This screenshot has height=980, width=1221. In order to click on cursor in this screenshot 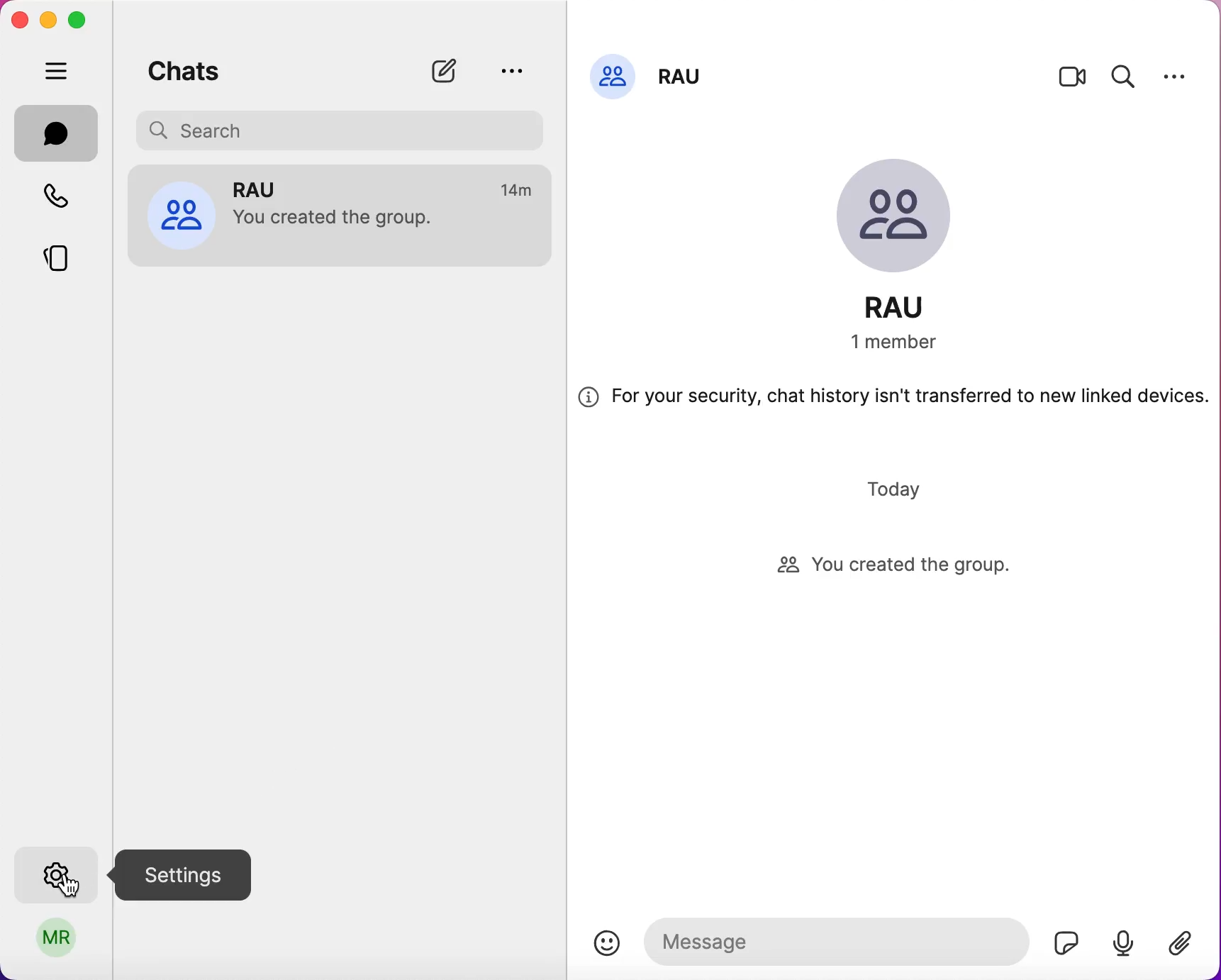, I will do `click(72, 886)`.